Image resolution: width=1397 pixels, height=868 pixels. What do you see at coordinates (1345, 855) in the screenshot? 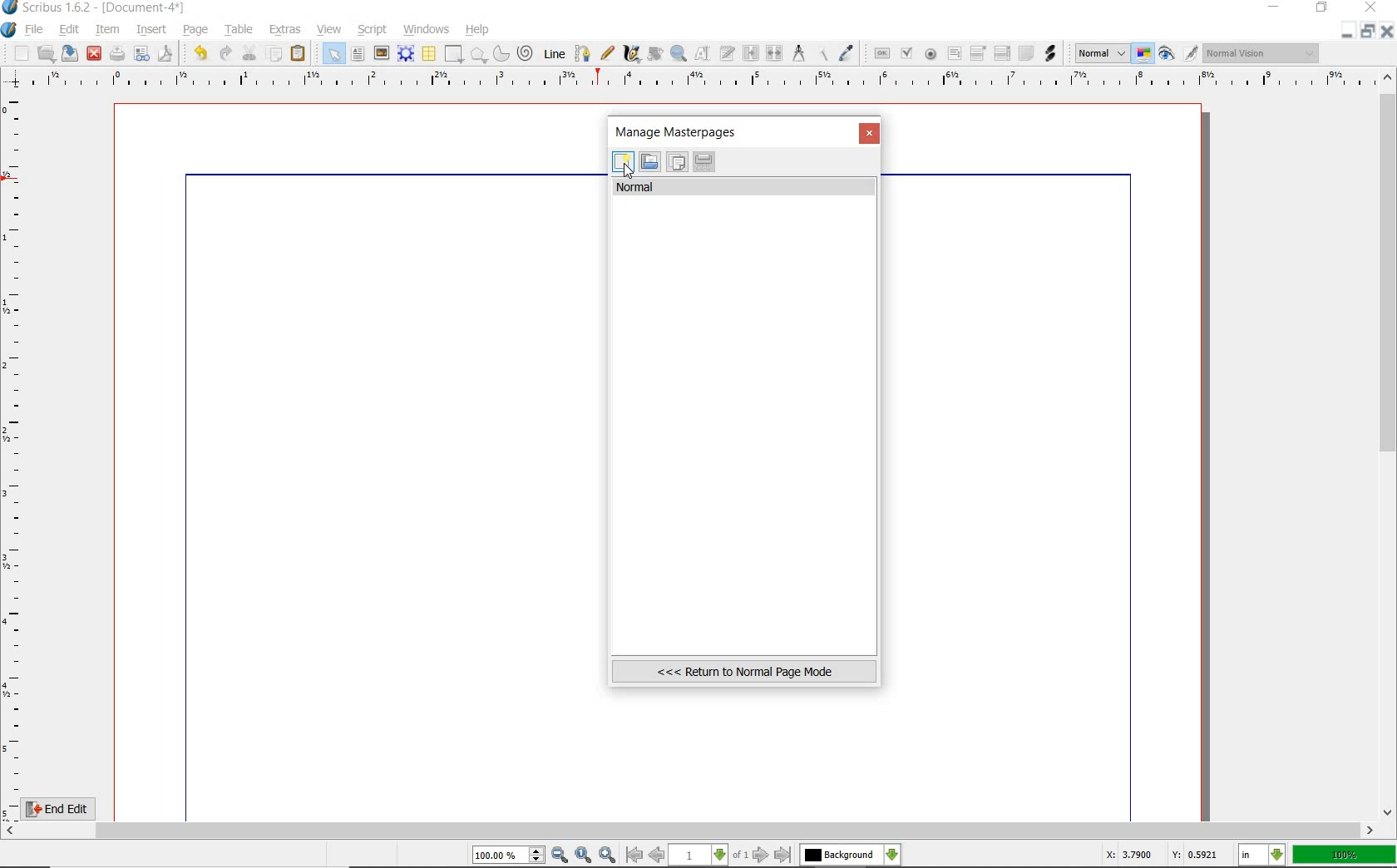
I see `100%` at bounding box center [1345, 855].